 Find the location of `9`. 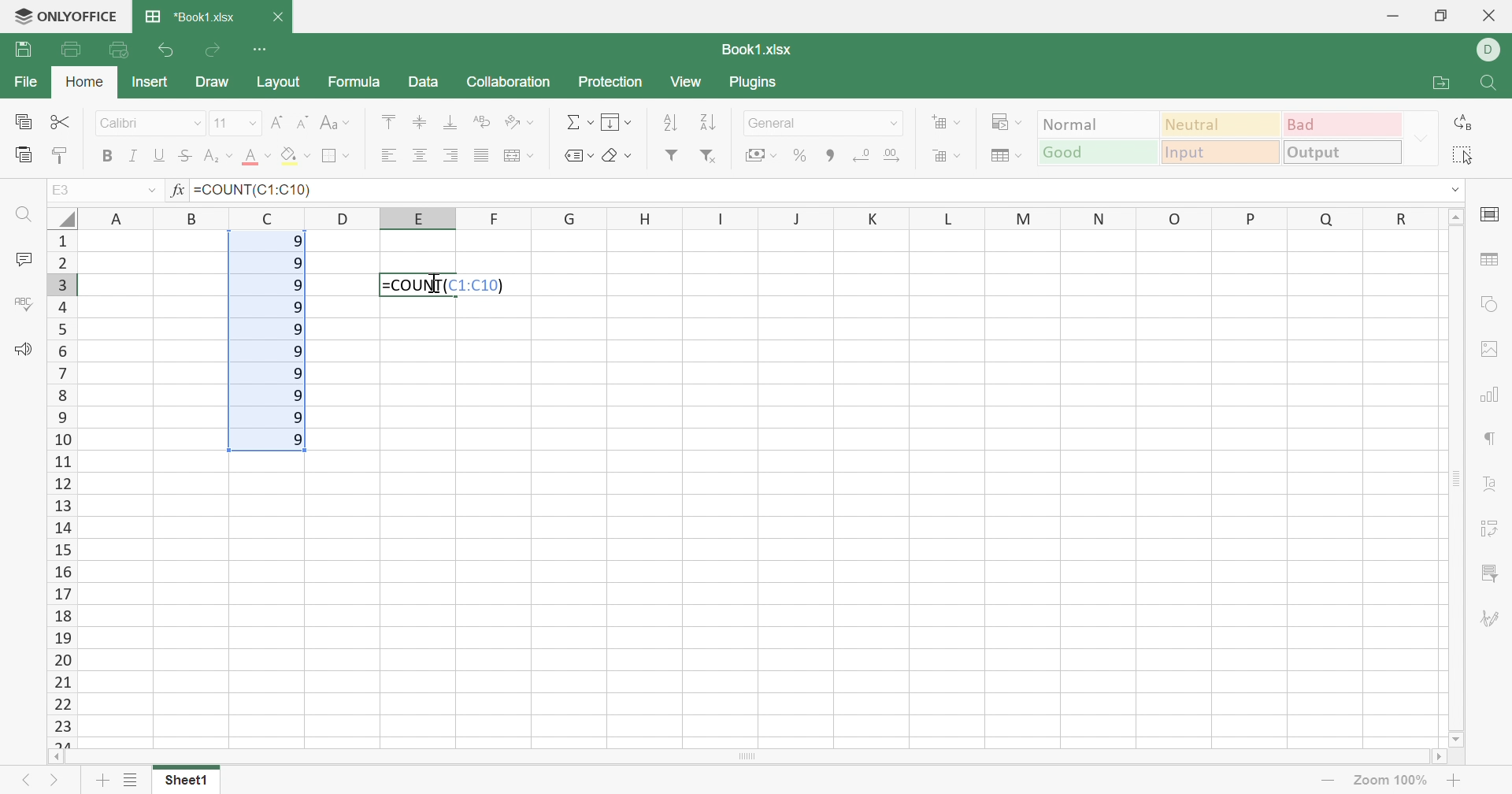

9 is located at coordinates (297, 419).